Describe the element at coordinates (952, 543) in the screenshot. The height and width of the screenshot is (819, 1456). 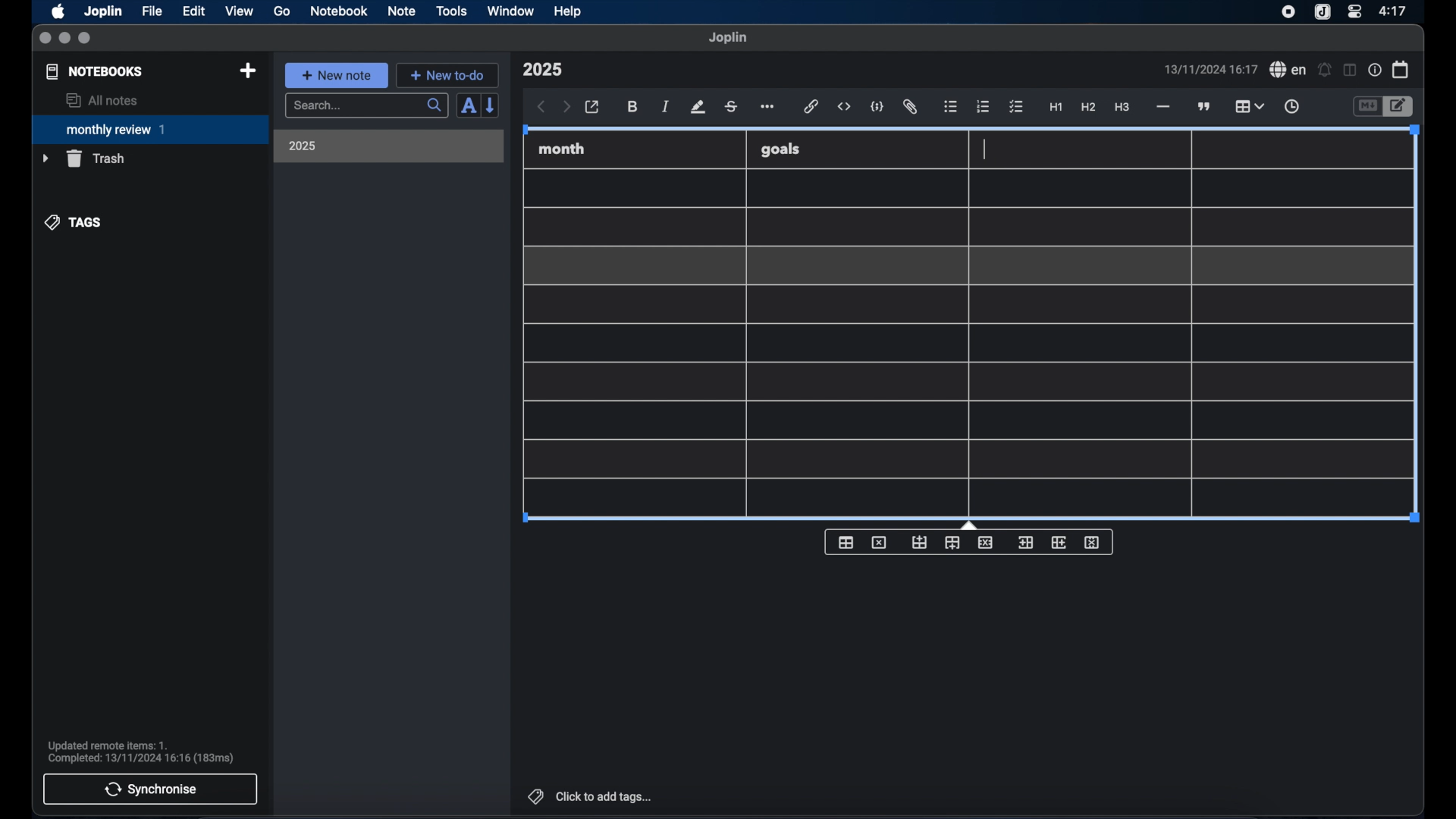
I see `insert row after` at that location.